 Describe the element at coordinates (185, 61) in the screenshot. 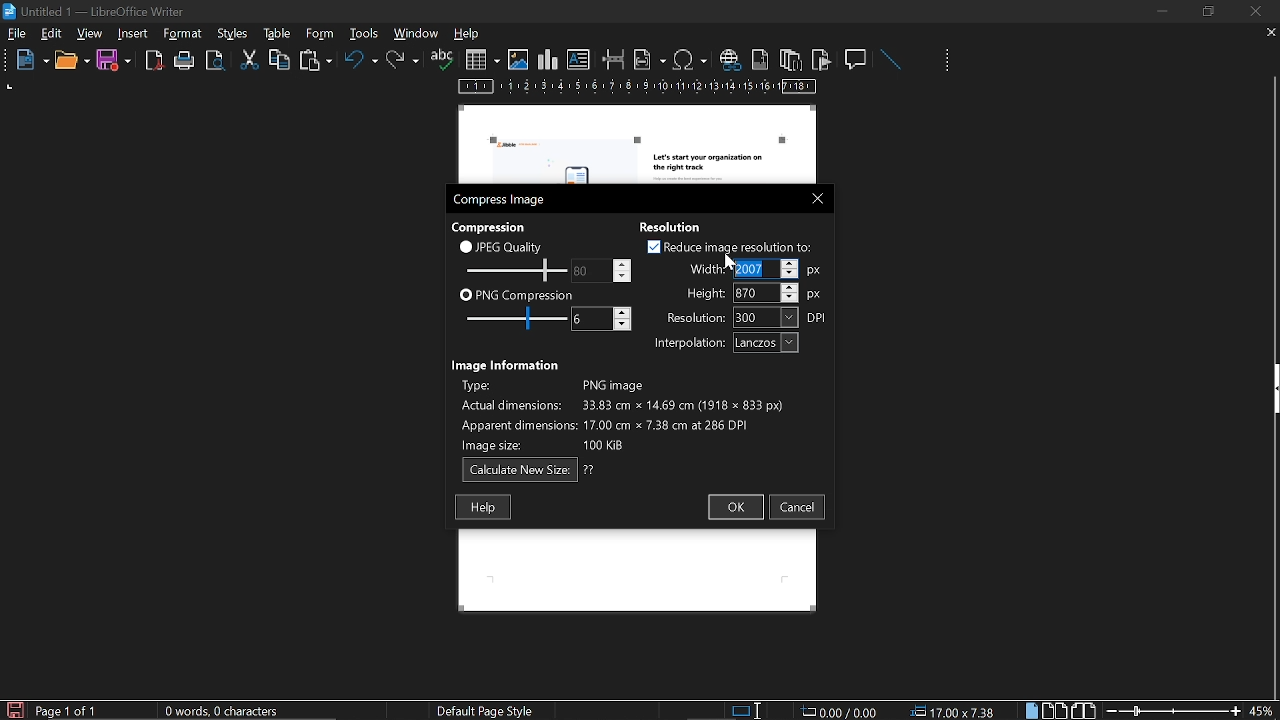

I see `print` at that location.